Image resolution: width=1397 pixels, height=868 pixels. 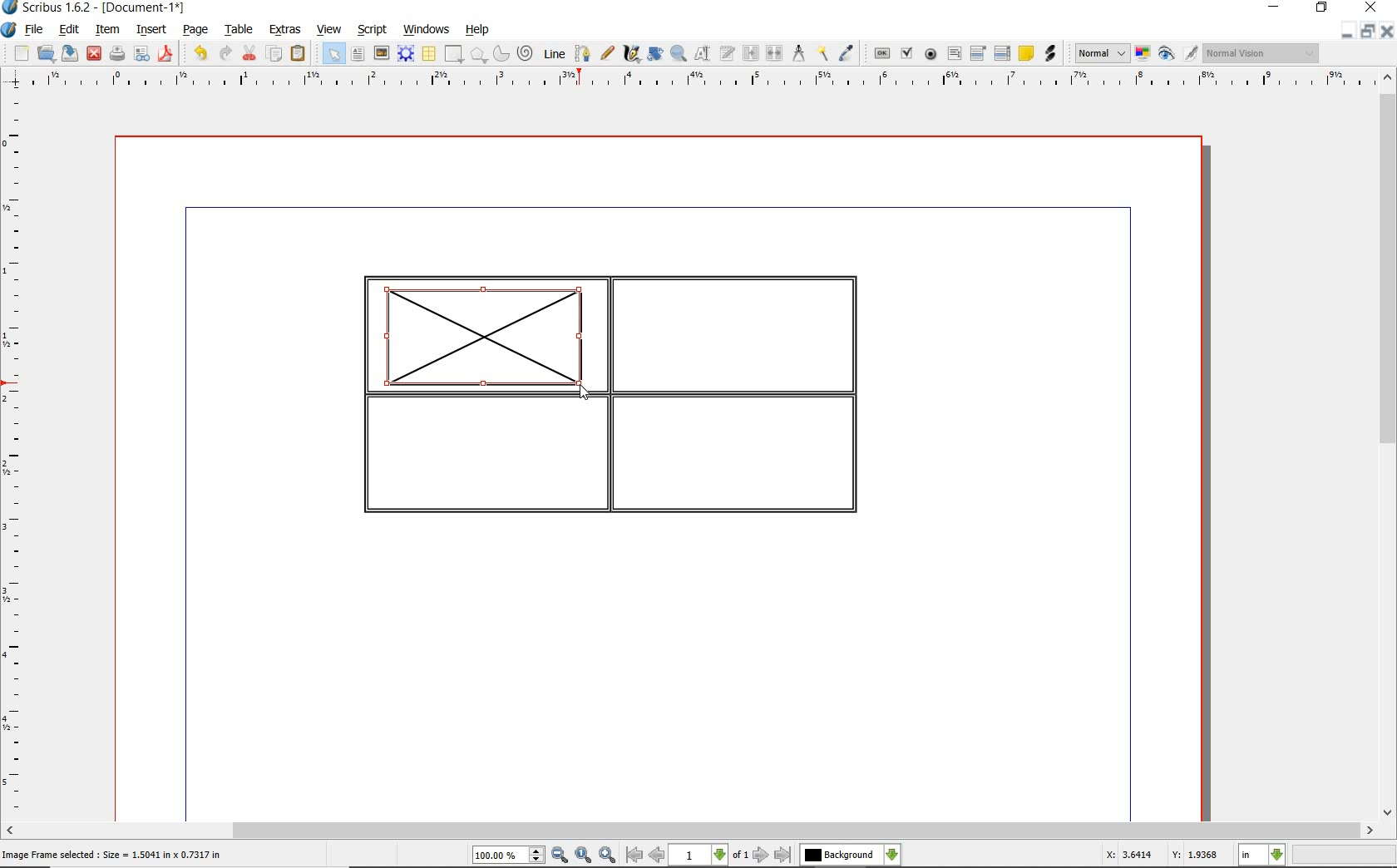 I want to click on edit text with story editor, so click(x=728, y=52).